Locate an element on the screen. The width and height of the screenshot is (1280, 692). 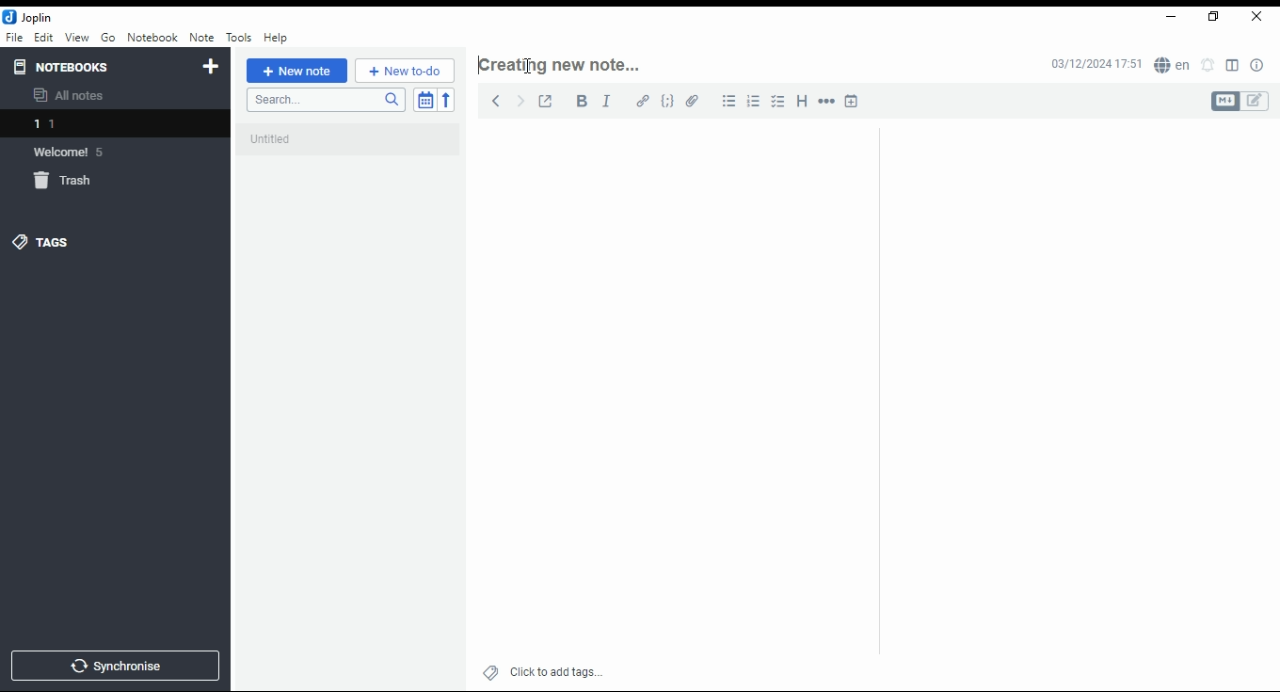
back is located at coordinates (492, 99).